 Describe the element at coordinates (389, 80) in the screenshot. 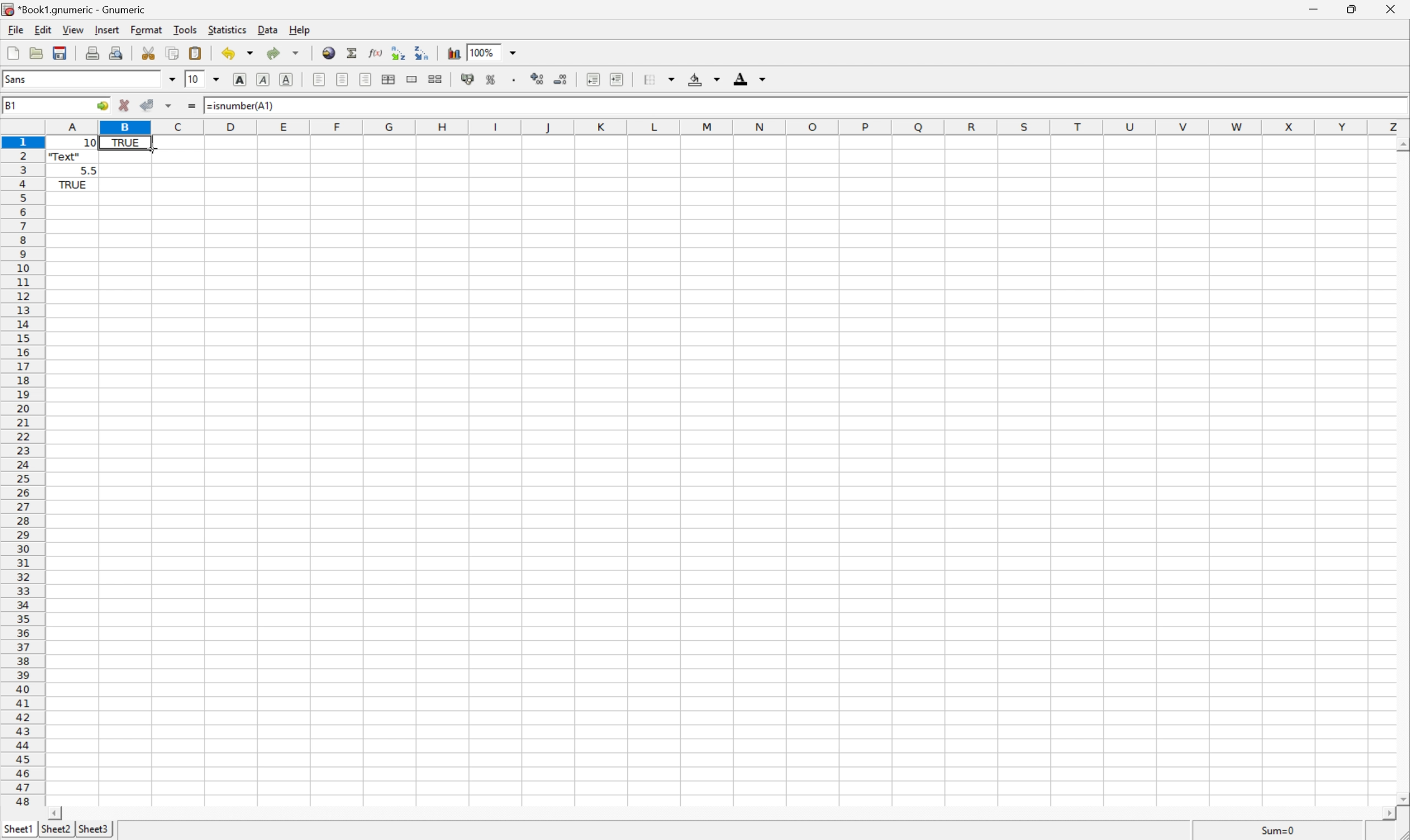

I see ` Center horizontally across selection` at that location.